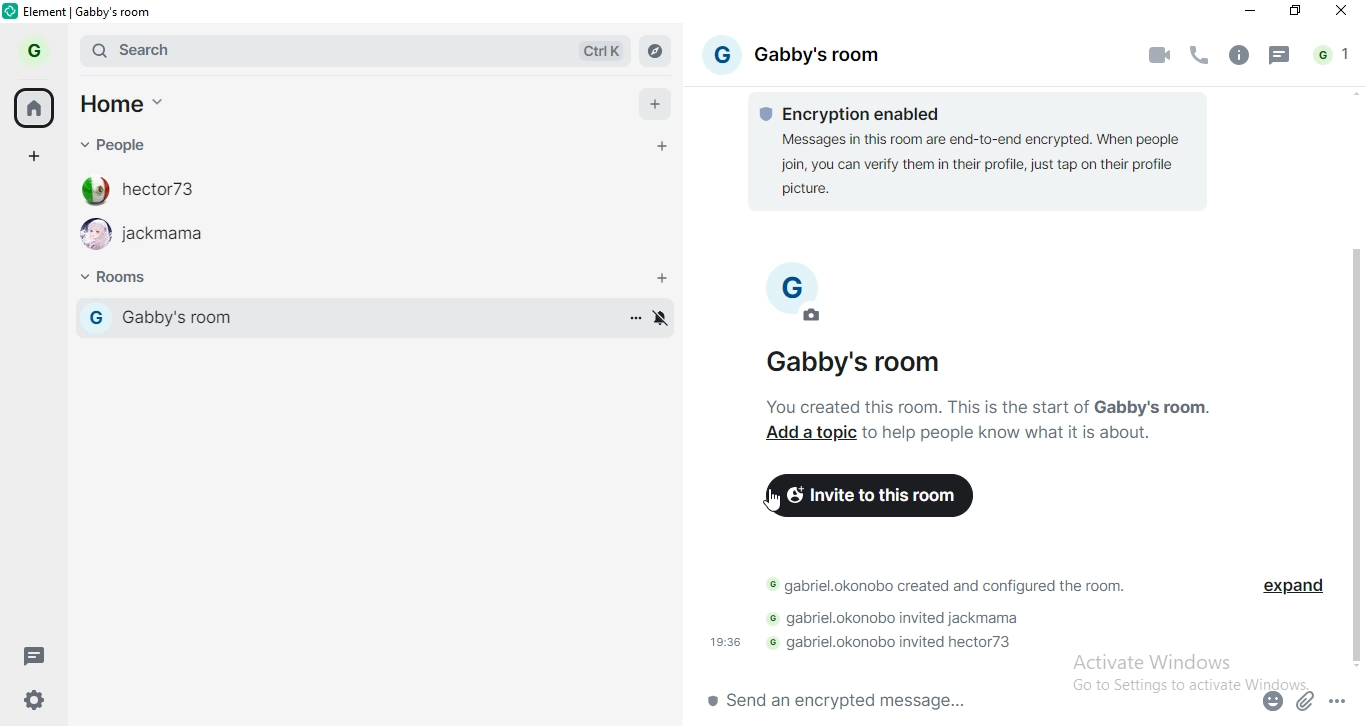 The image size is (1366, 726). What do you see at coordinates (951, 586) in the screenshot?
I see `text 2` at bounding box center [951, 586].